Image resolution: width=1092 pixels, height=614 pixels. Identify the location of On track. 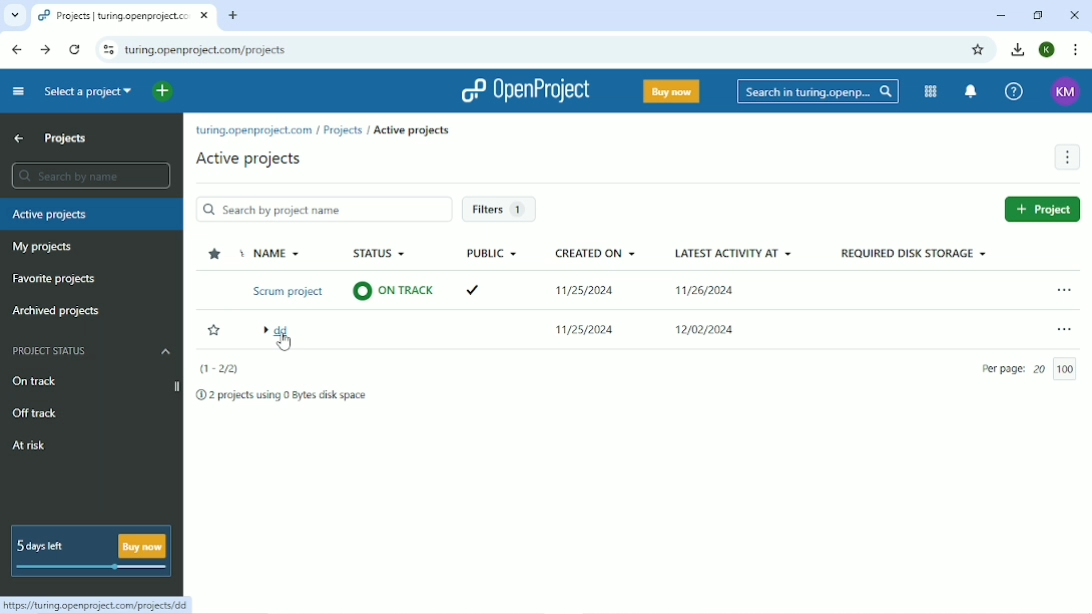
(37, 382).